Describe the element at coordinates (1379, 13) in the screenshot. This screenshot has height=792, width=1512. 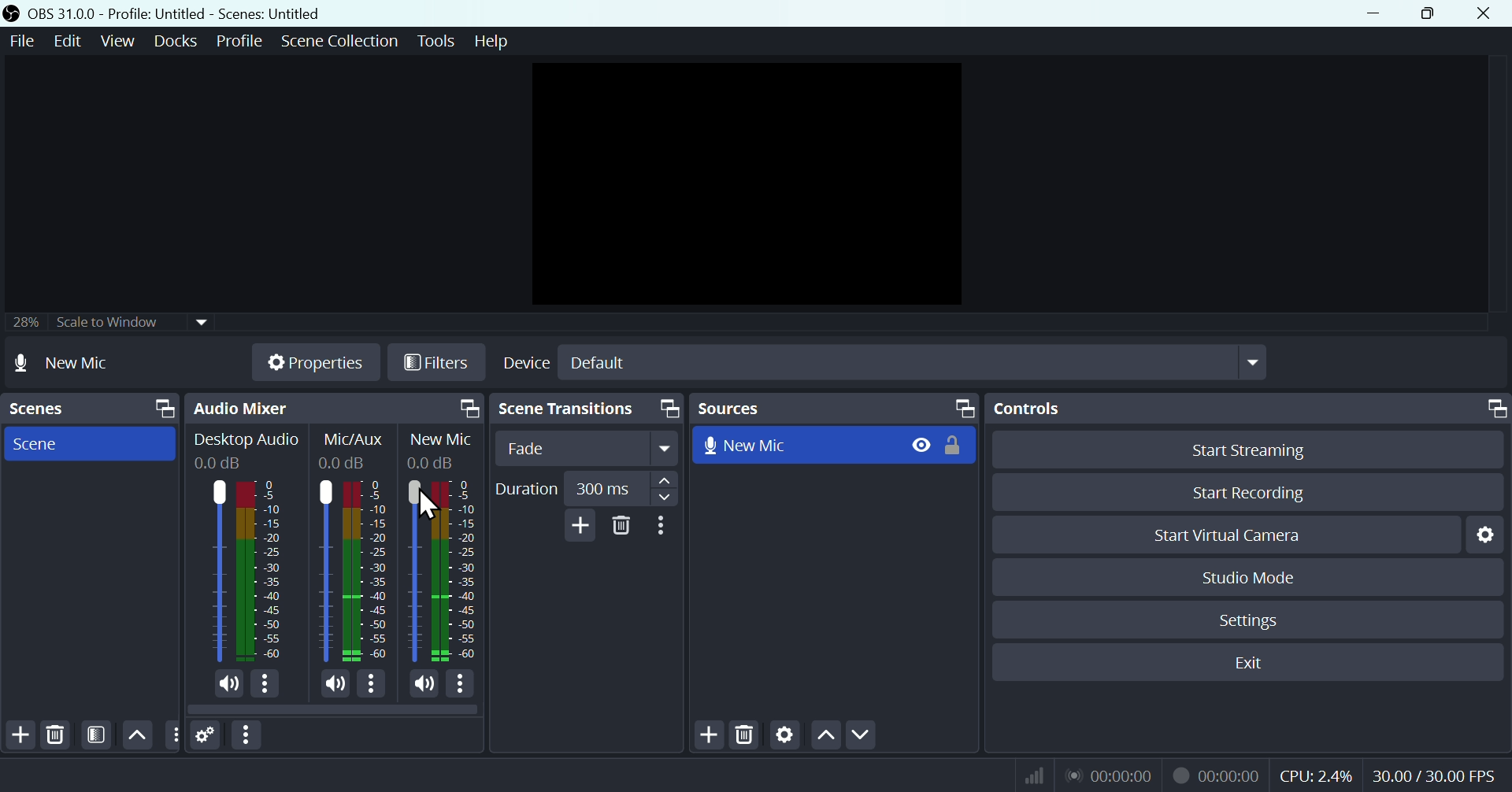
I see `minimize` at that location.